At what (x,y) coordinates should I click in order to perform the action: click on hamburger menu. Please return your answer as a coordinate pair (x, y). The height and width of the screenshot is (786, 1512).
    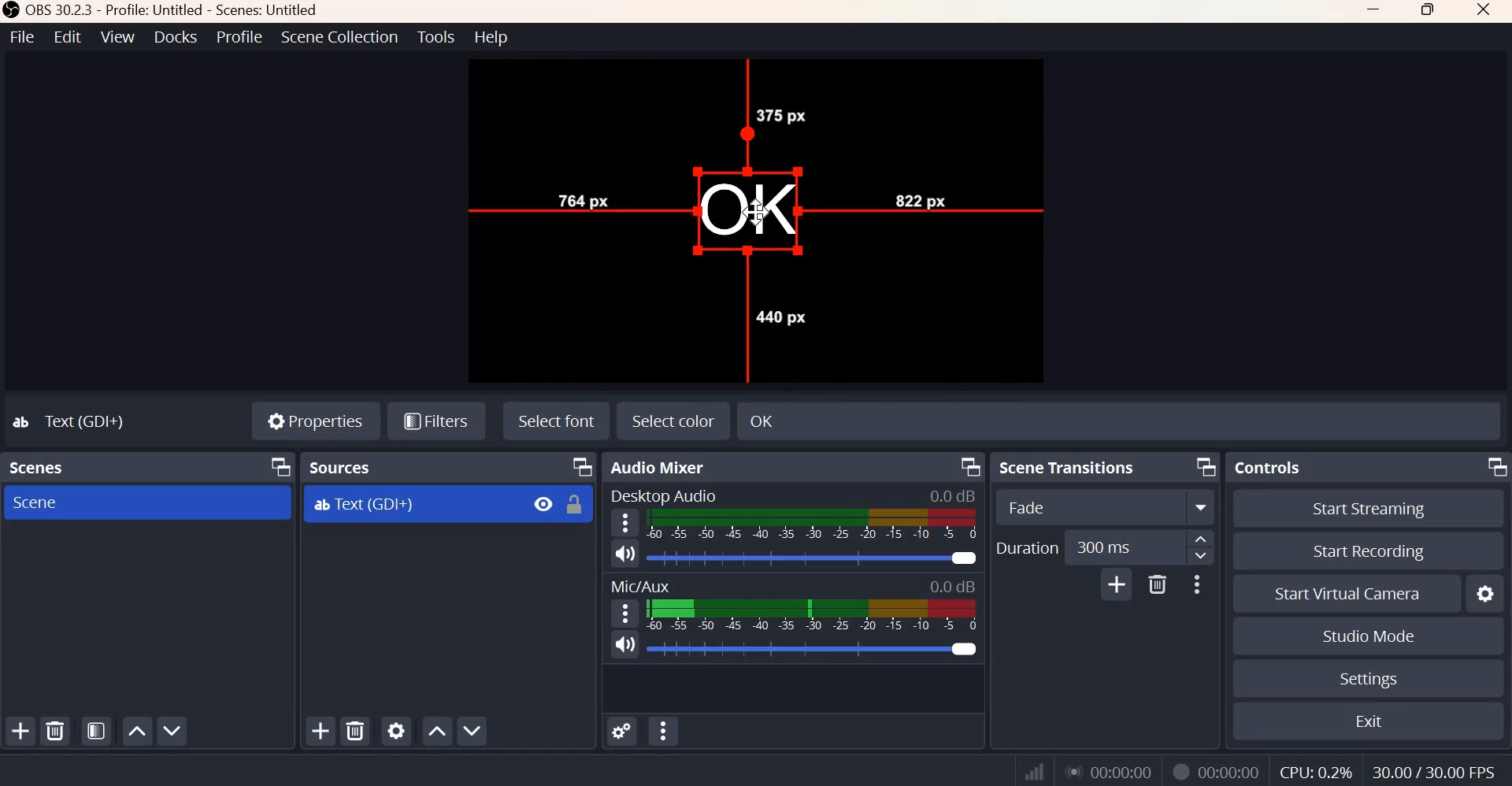
    Looking at the image, I should click on (623, 613).